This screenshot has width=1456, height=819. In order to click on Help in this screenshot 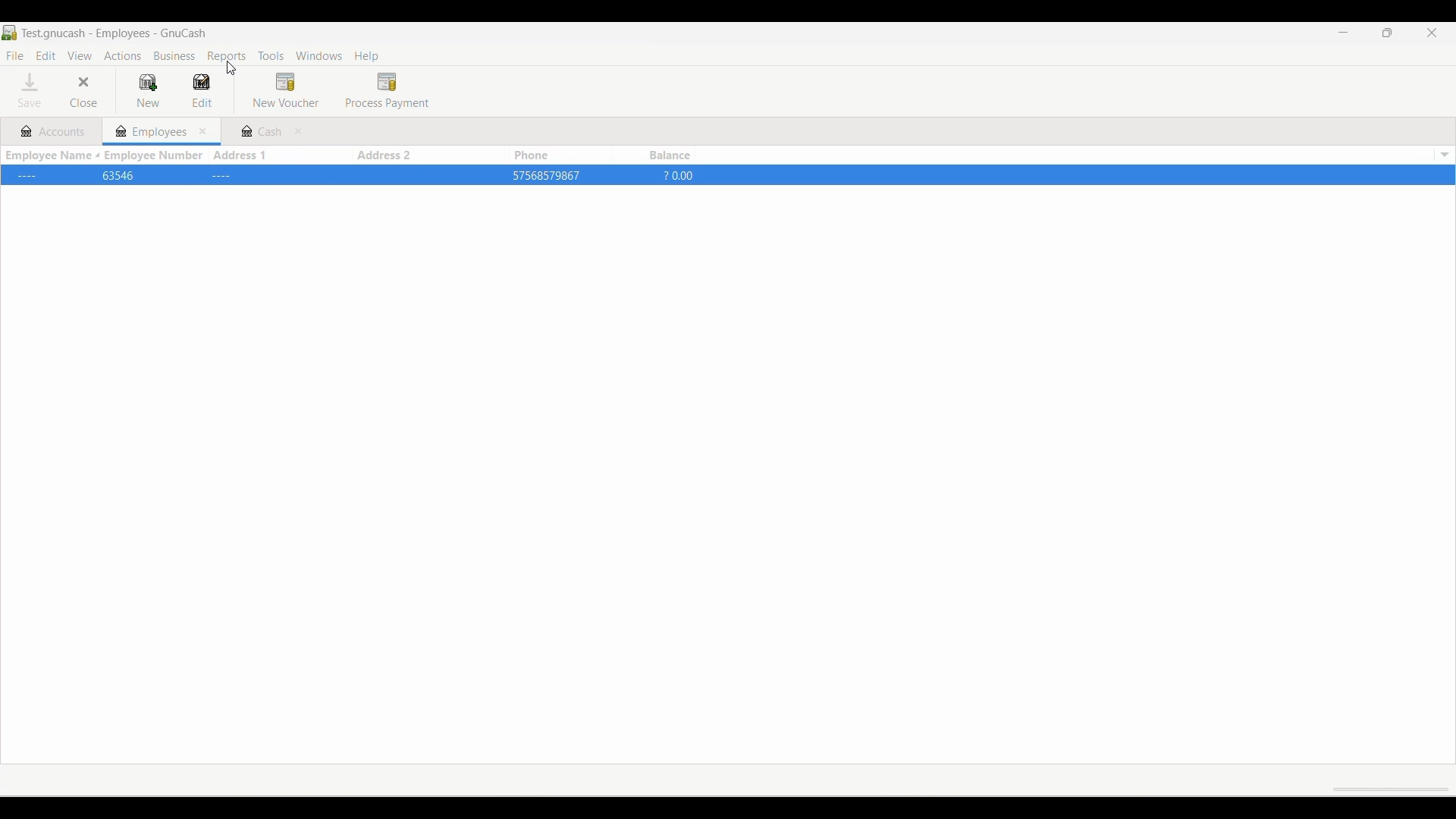, I will do `click(366, 56)`.